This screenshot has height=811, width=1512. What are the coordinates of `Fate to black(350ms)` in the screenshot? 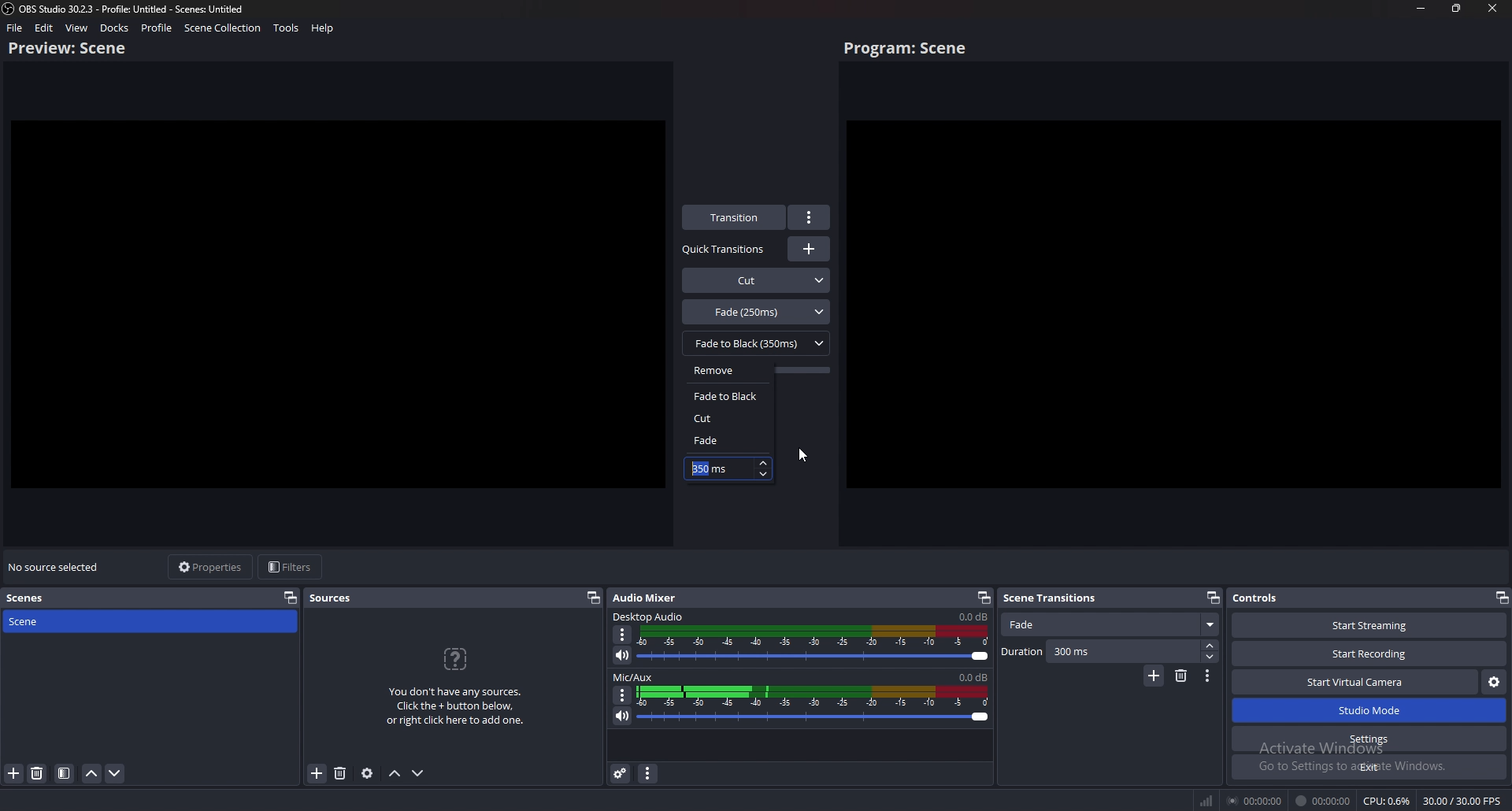 It's located at (756, 343).